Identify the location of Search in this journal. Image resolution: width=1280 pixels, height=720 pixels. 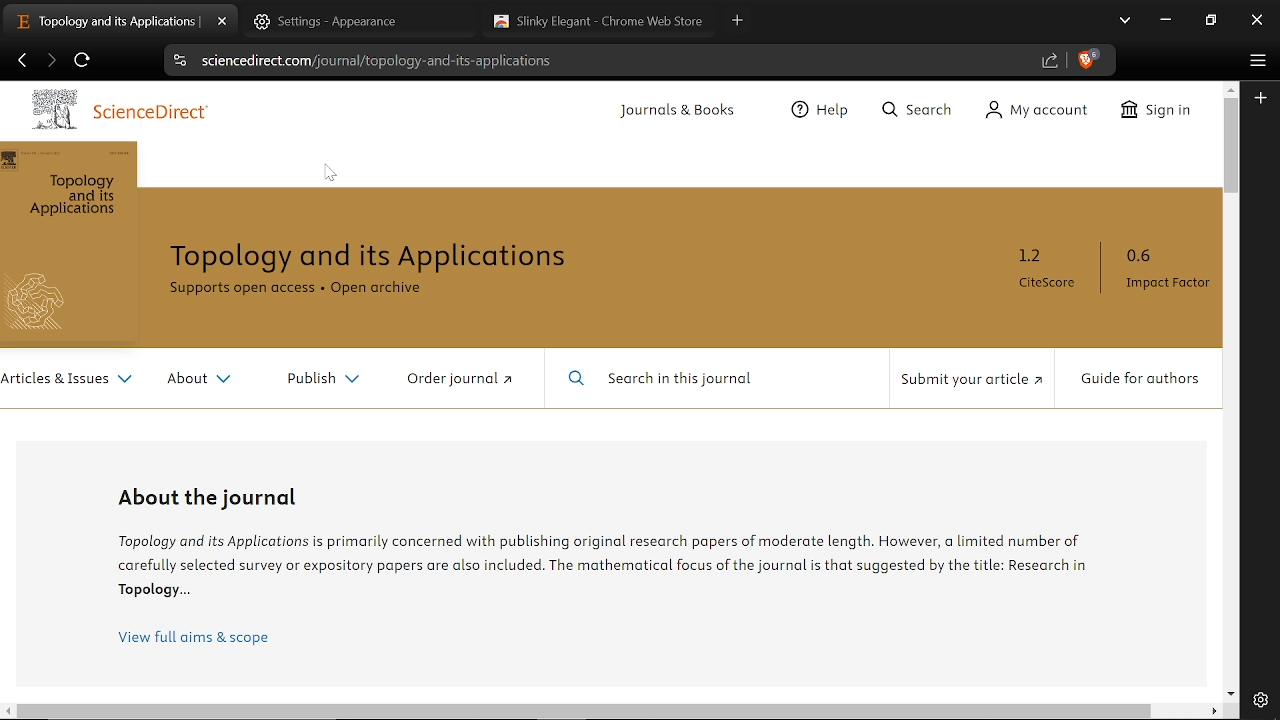
(675, 383).